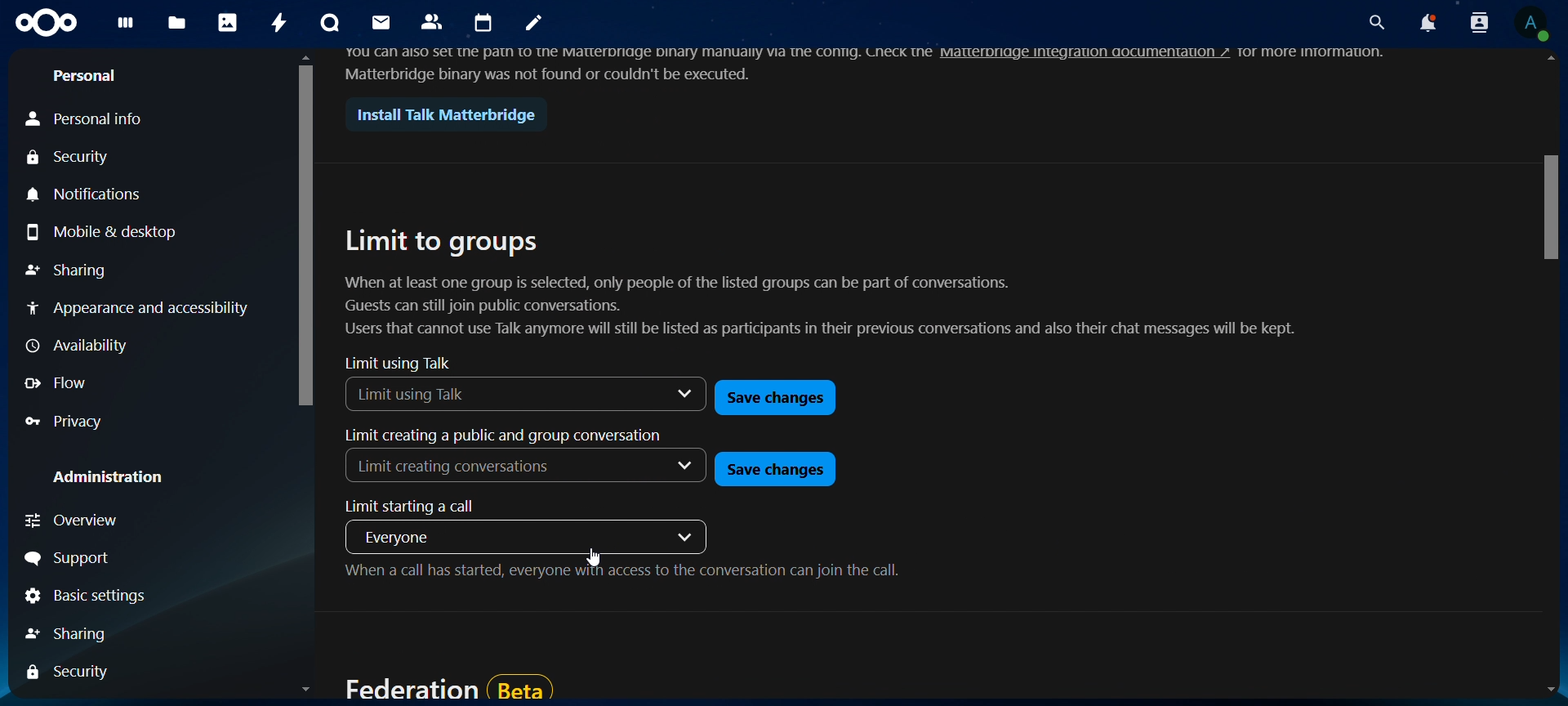  I want to click on view profile, so click(1534, 25).